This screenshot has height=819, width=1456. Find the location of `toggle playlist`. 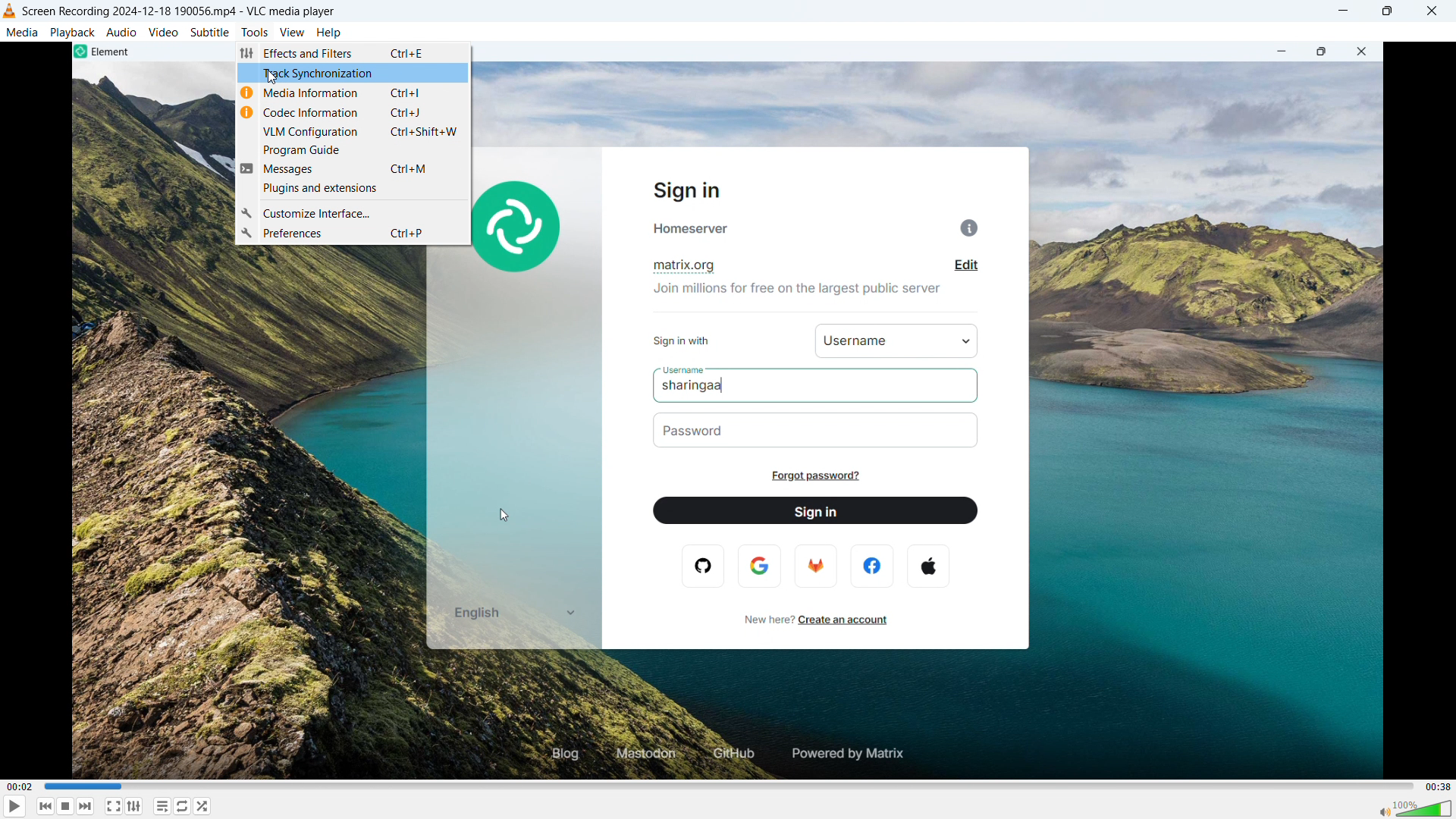

toggle playlist is located at coordinates (162, 807).